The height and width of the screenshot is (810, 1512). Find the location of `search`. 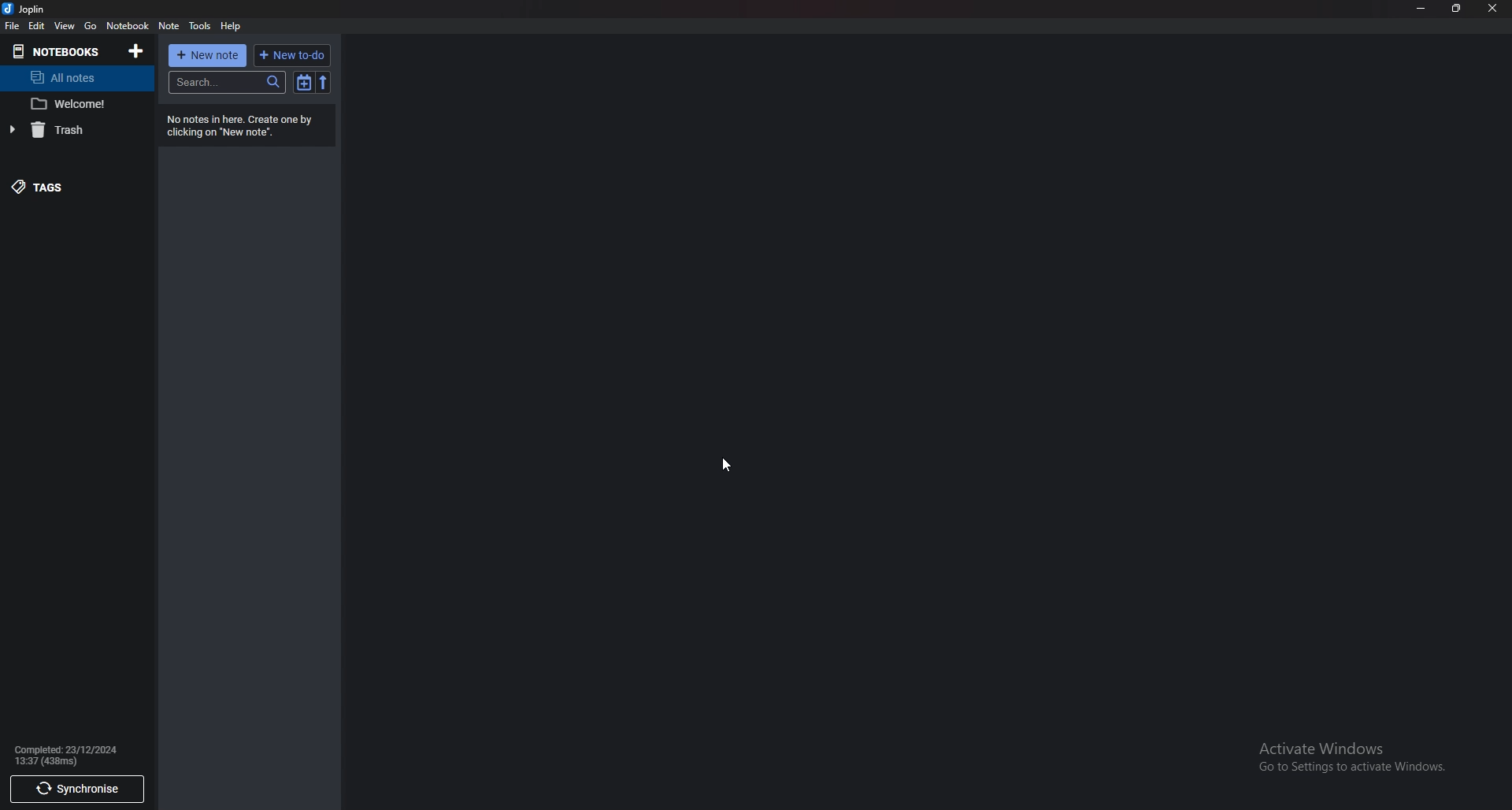

search is located at coordinates (229, 82).